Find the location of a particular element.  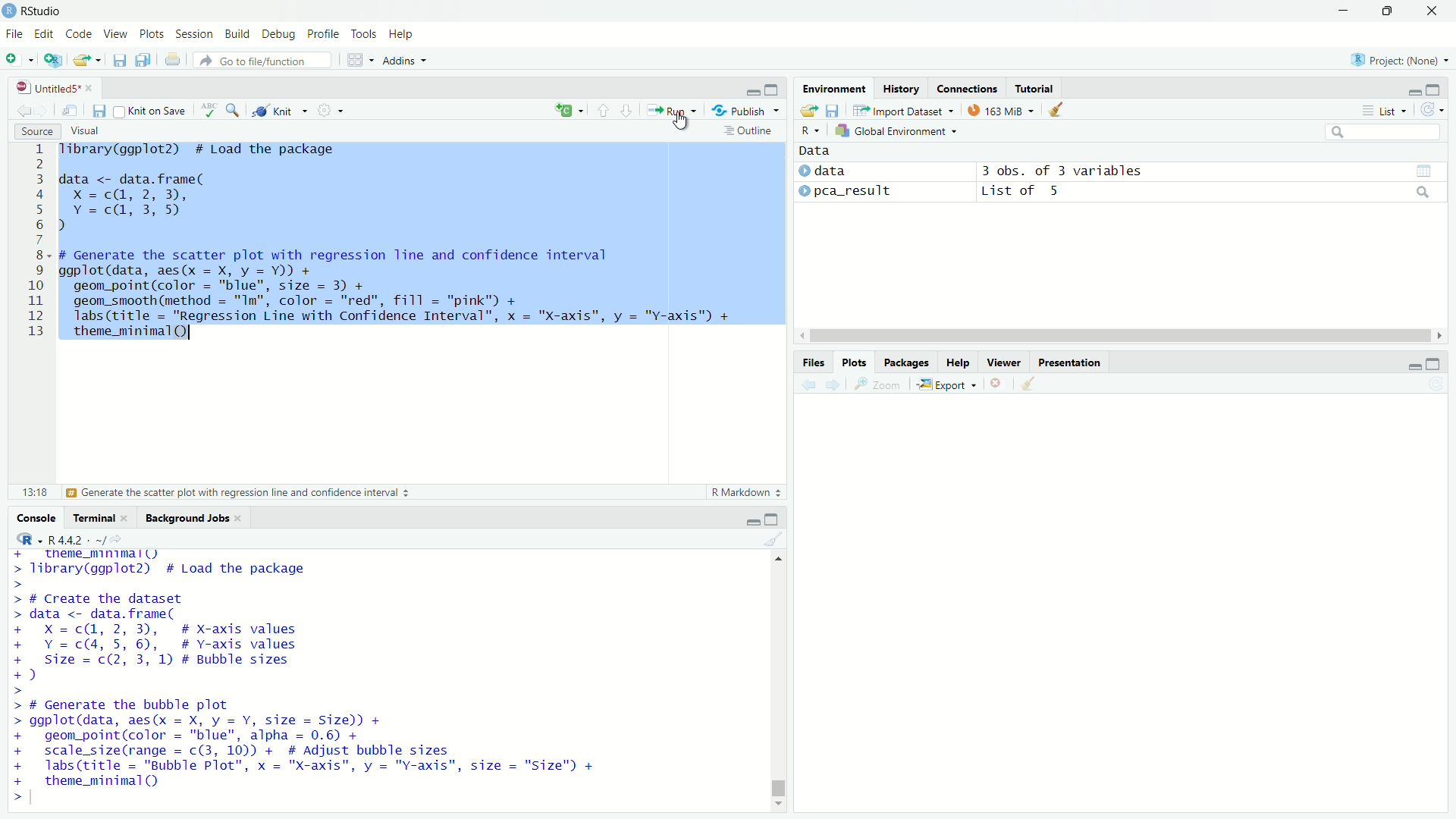

Help is located at coordinates (401, 34).